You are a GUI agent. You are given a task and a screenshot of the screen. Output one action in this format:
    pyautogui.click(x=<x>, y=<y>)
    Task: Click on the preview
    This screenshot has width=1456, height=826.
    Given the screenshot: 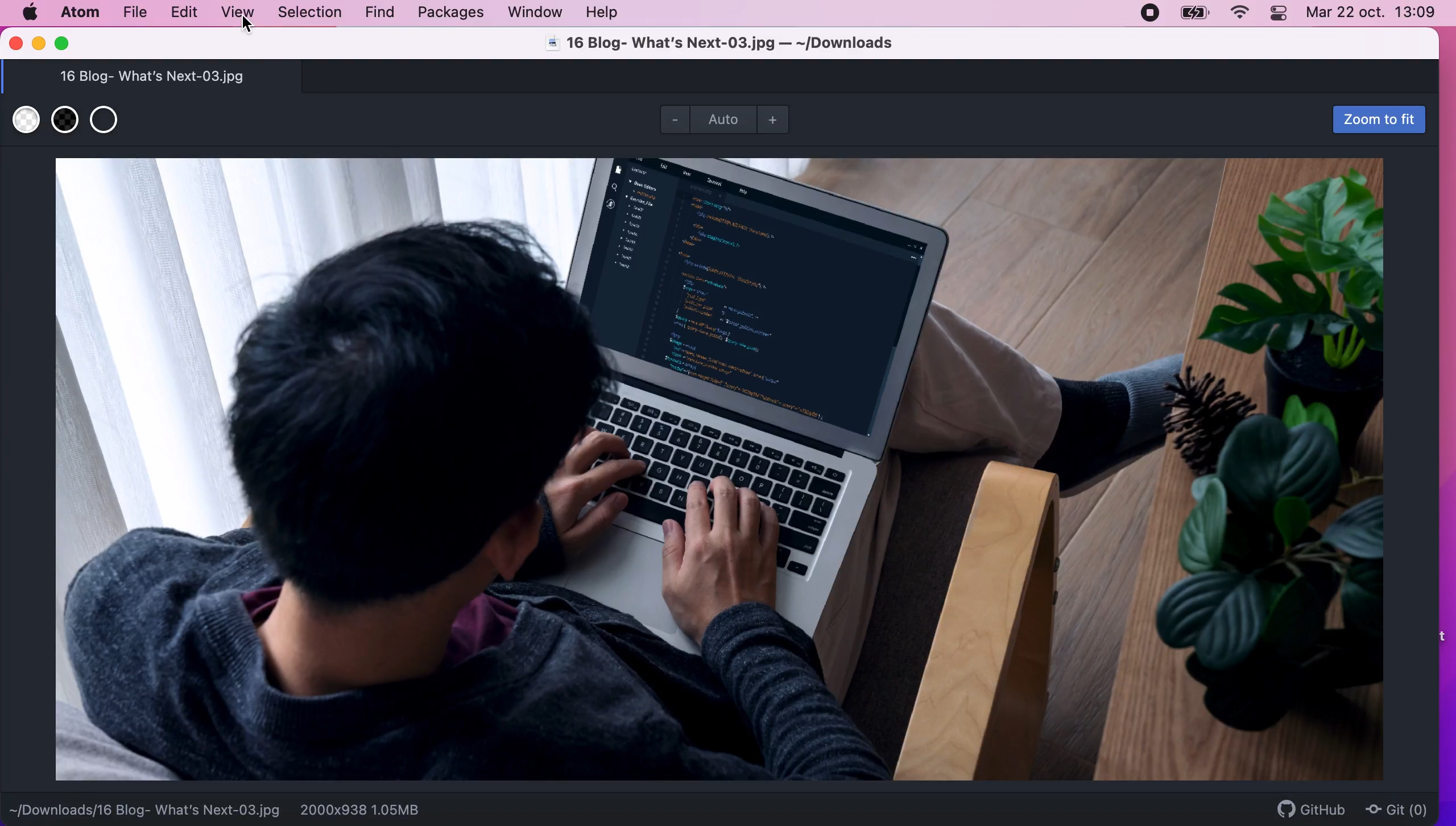 What is the action you would take?
    pyautogui.click(x=720, y=471)
    